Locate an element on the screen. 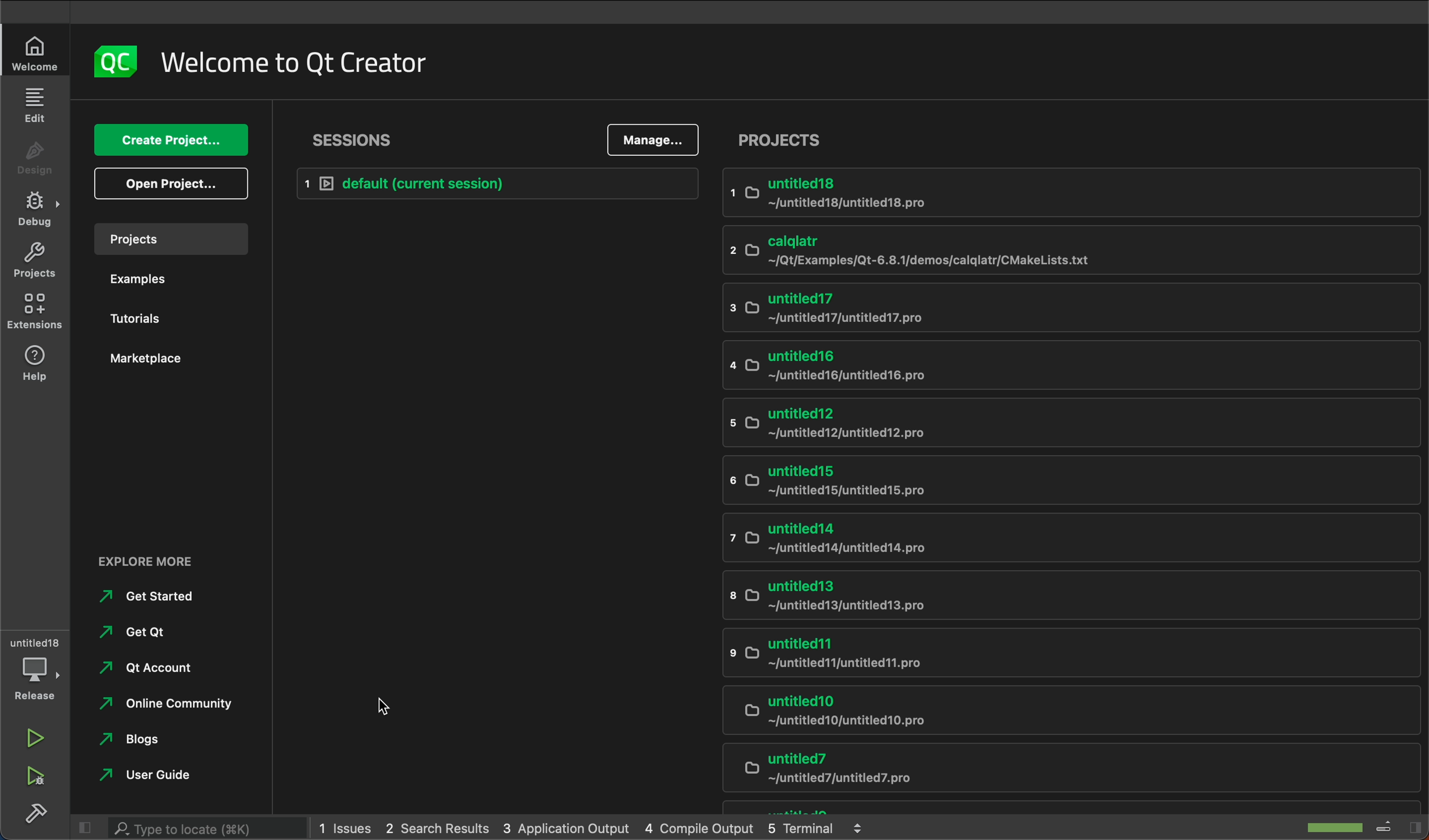 This screenshot has height=840, width=1429. blogs is located at coordinates (133, 739).